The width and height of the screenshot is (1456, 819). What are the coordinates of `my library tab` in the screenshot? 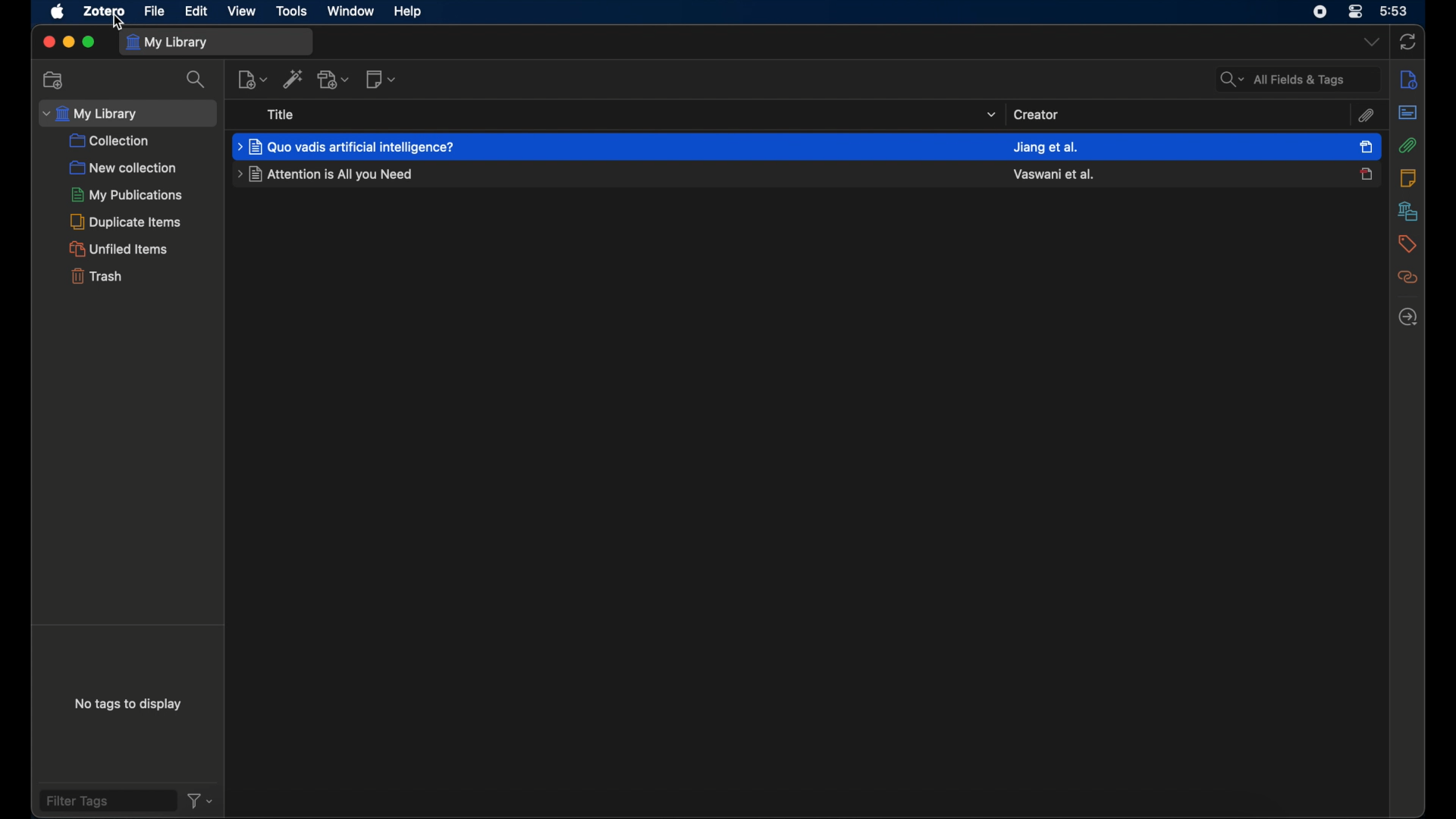 It's located at (218, 42).